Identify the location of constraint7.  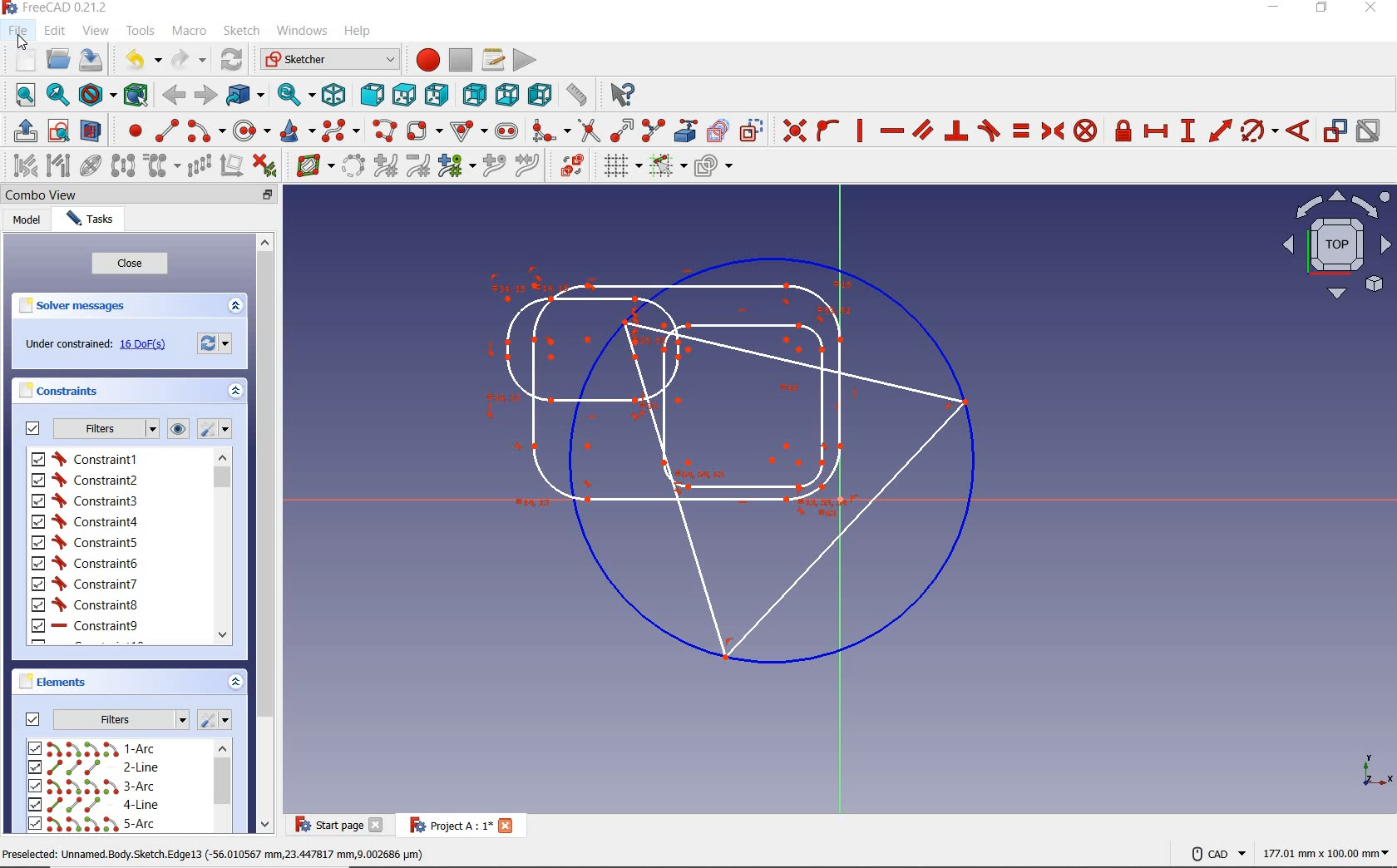
(86, 584).